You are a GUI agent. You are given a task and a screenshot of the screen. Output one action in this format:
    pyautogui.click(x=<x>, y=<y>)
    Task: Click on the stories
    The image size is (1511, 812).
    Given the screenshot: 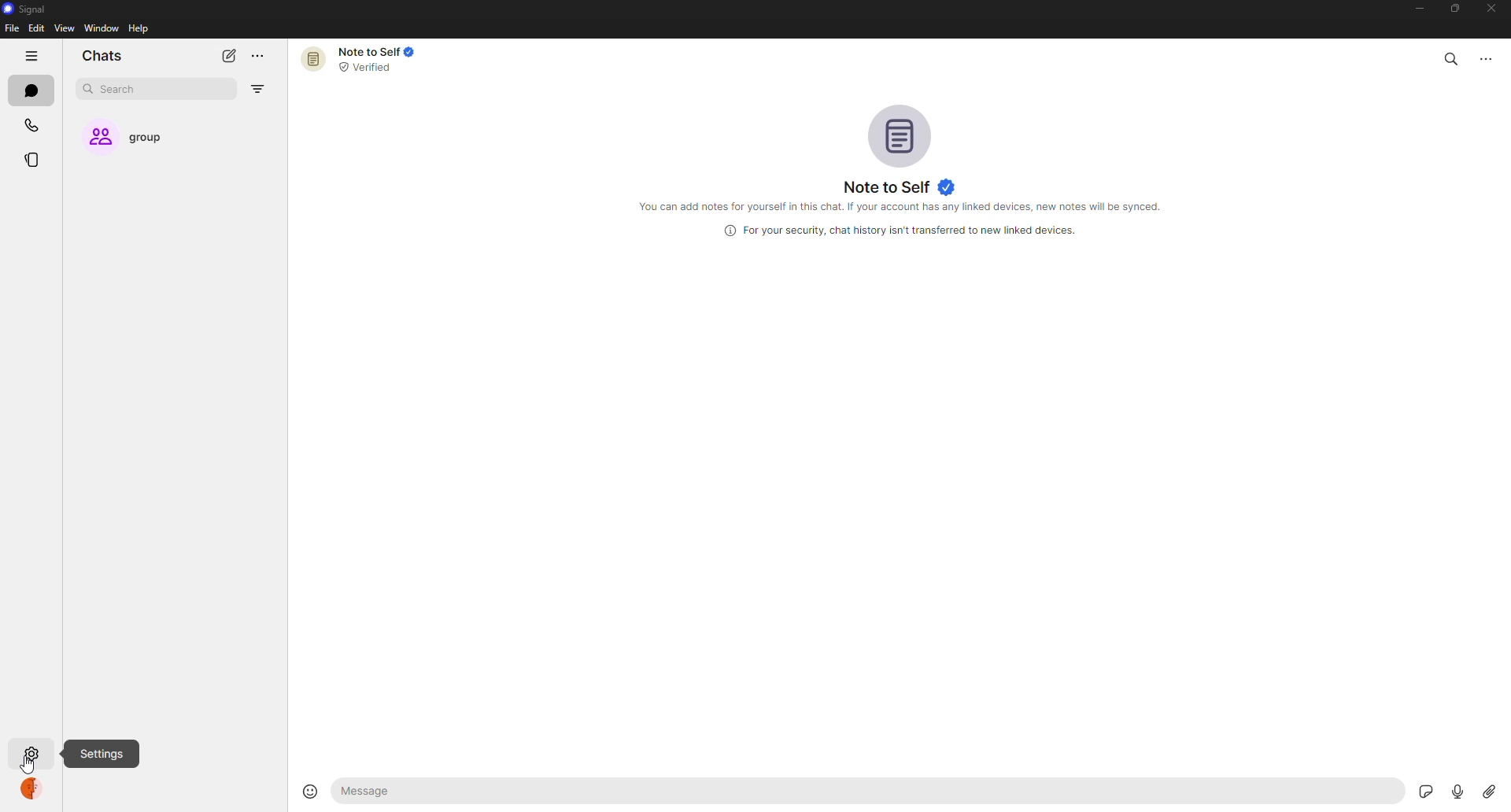 What is the action you would take?
    pyautogui.click(x=36, y=160)
    